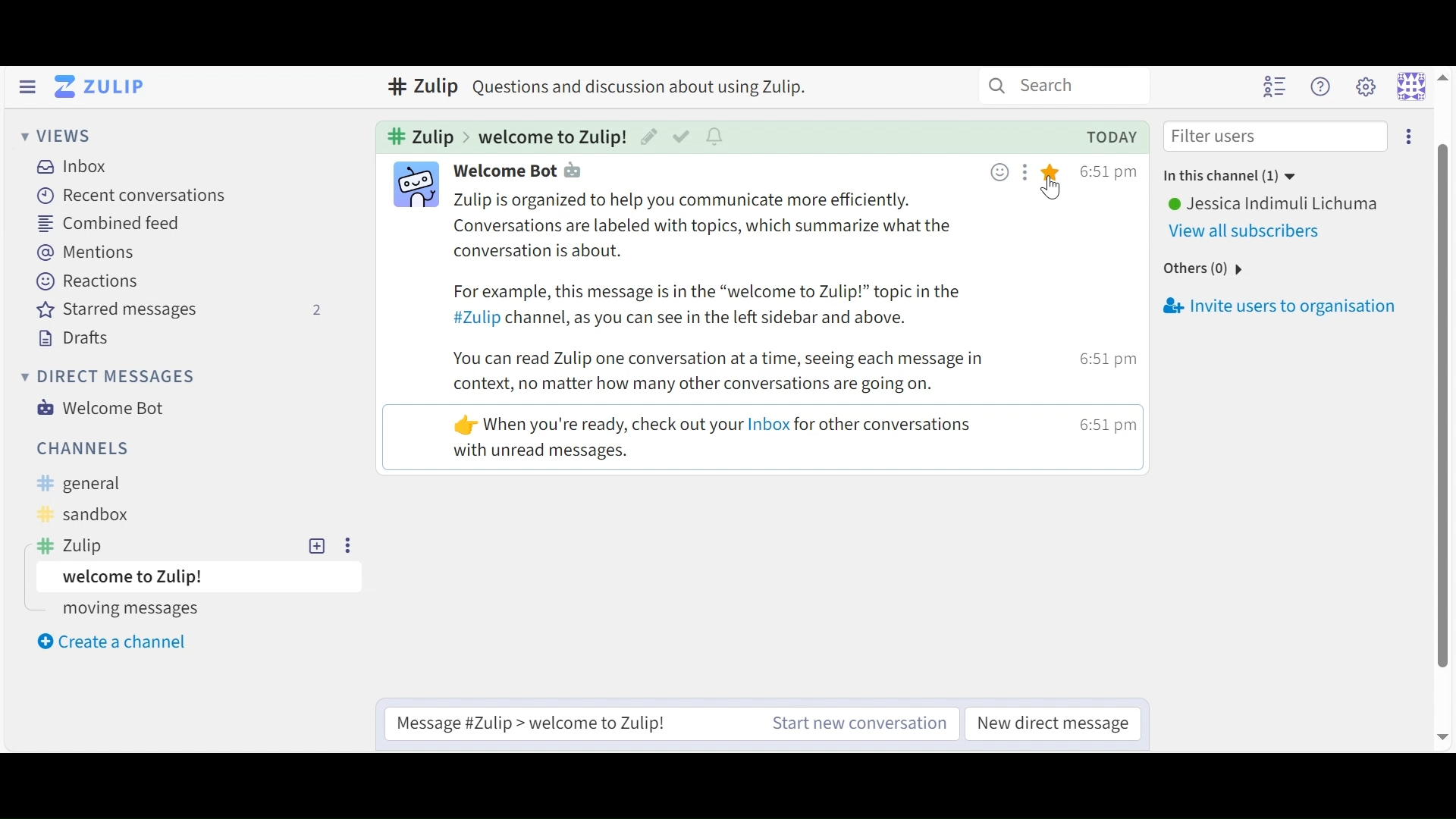 The width and height of the screenshot is (1456, 819). Describe the element at coordinates (681, 136) in the screenshot. I see `Mark as resolved` at that location.